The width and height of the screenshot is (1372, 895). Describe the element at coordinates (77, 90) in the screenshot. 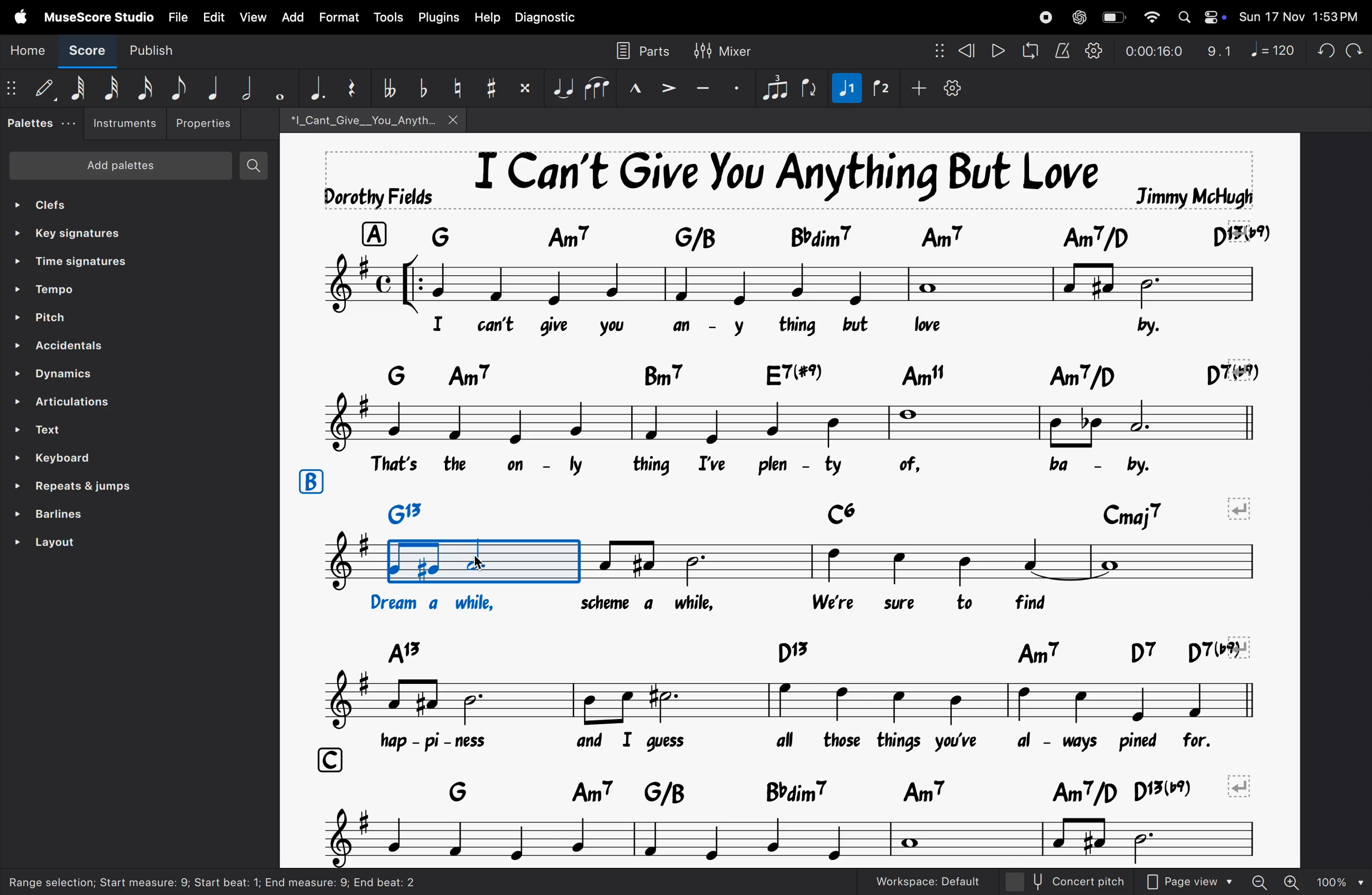

I see `64 note` at that location.